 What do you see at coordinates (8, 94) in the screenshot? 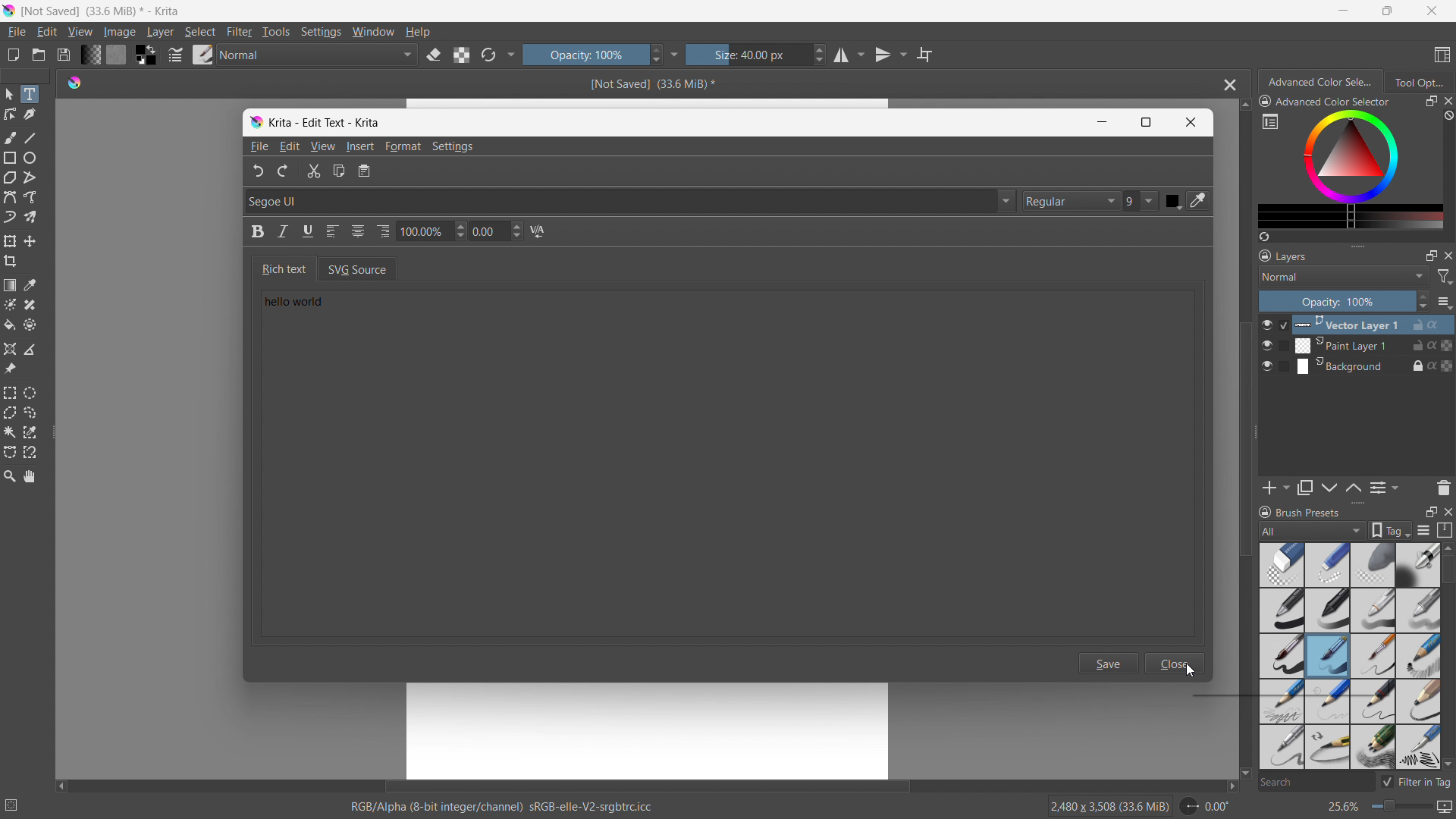
I see `select shapes tool` at bounding box center [8, 94].